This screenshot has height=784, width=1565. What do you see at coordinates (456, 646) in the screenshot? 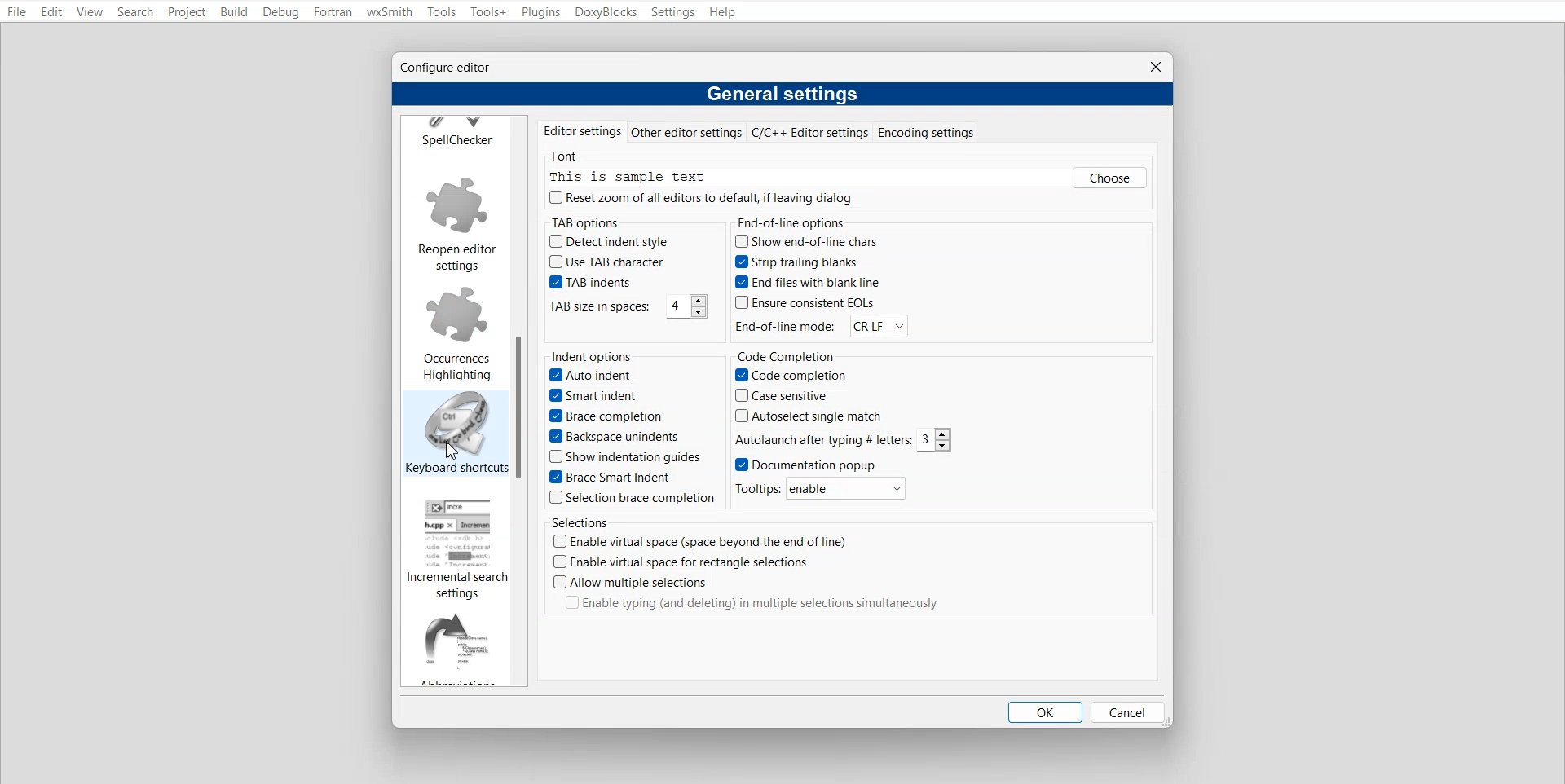
I see `Abbreviation` at bounding box center [456, 646].